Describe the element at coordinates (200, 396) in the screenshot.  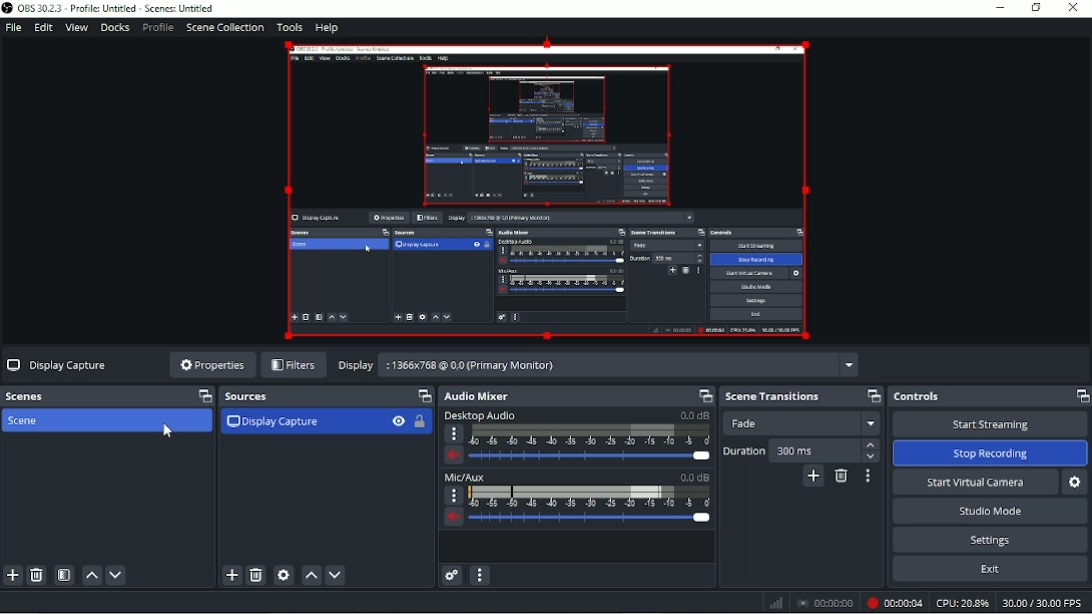
I see `Maximize` at that location.